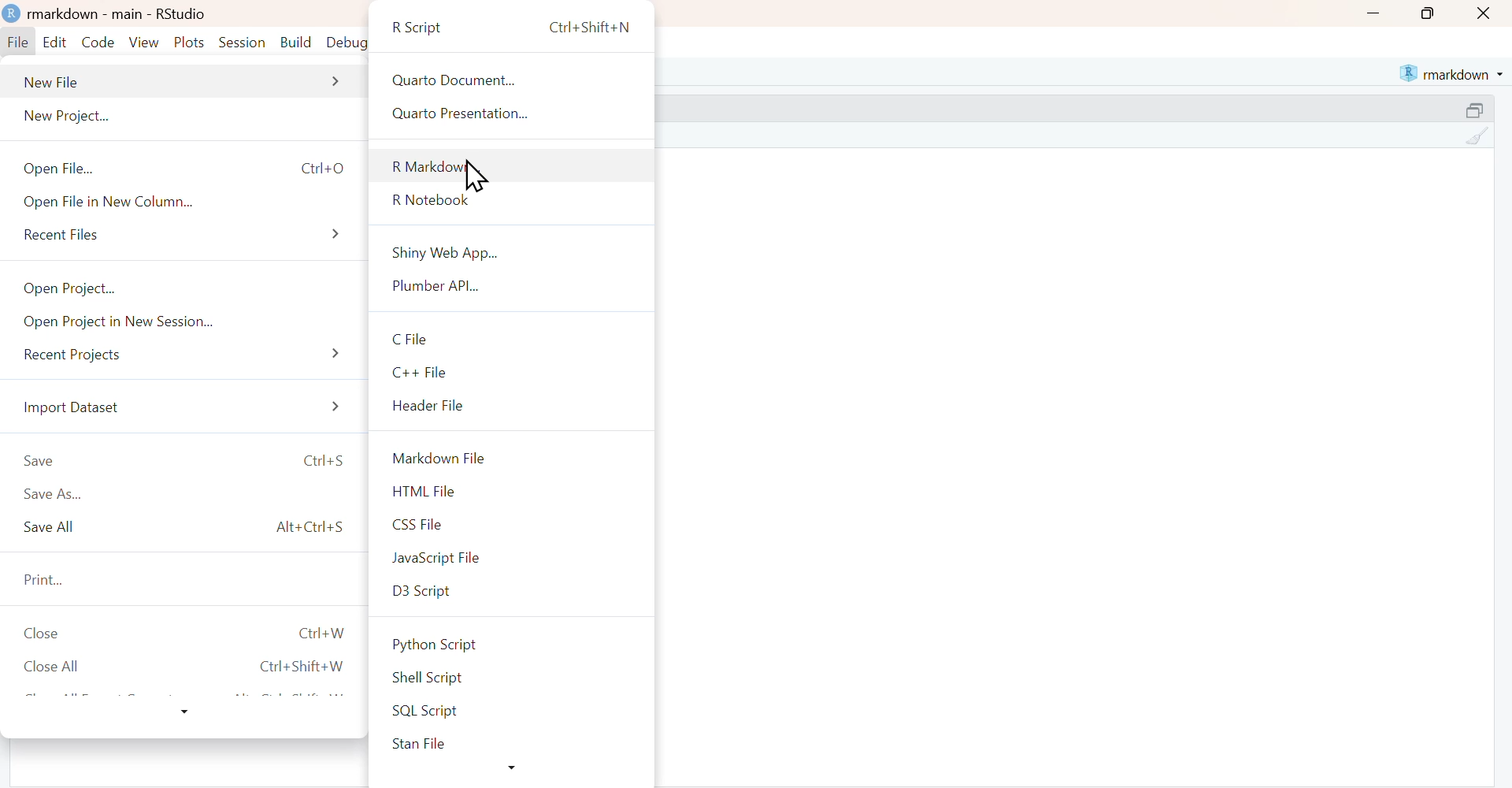 Image resolution: width=1512 pixels, height=788 pixels. Describe the element at coordinates (1373, 13) in the screenshot. I see `minimize` at that location.